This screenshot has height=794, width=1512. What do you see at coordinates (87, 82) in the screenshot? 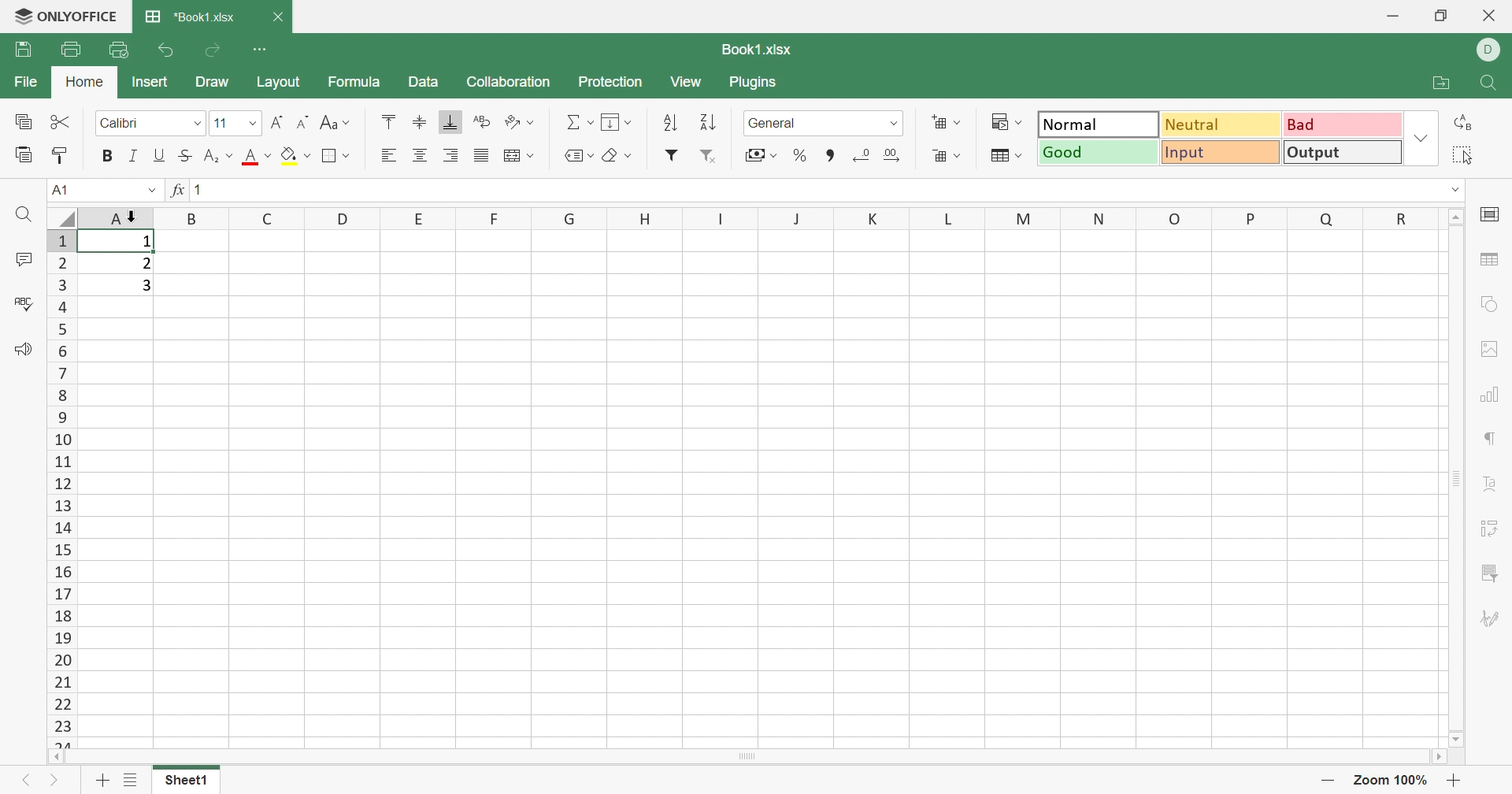
I see `Home` at bounding box center [87, 82].